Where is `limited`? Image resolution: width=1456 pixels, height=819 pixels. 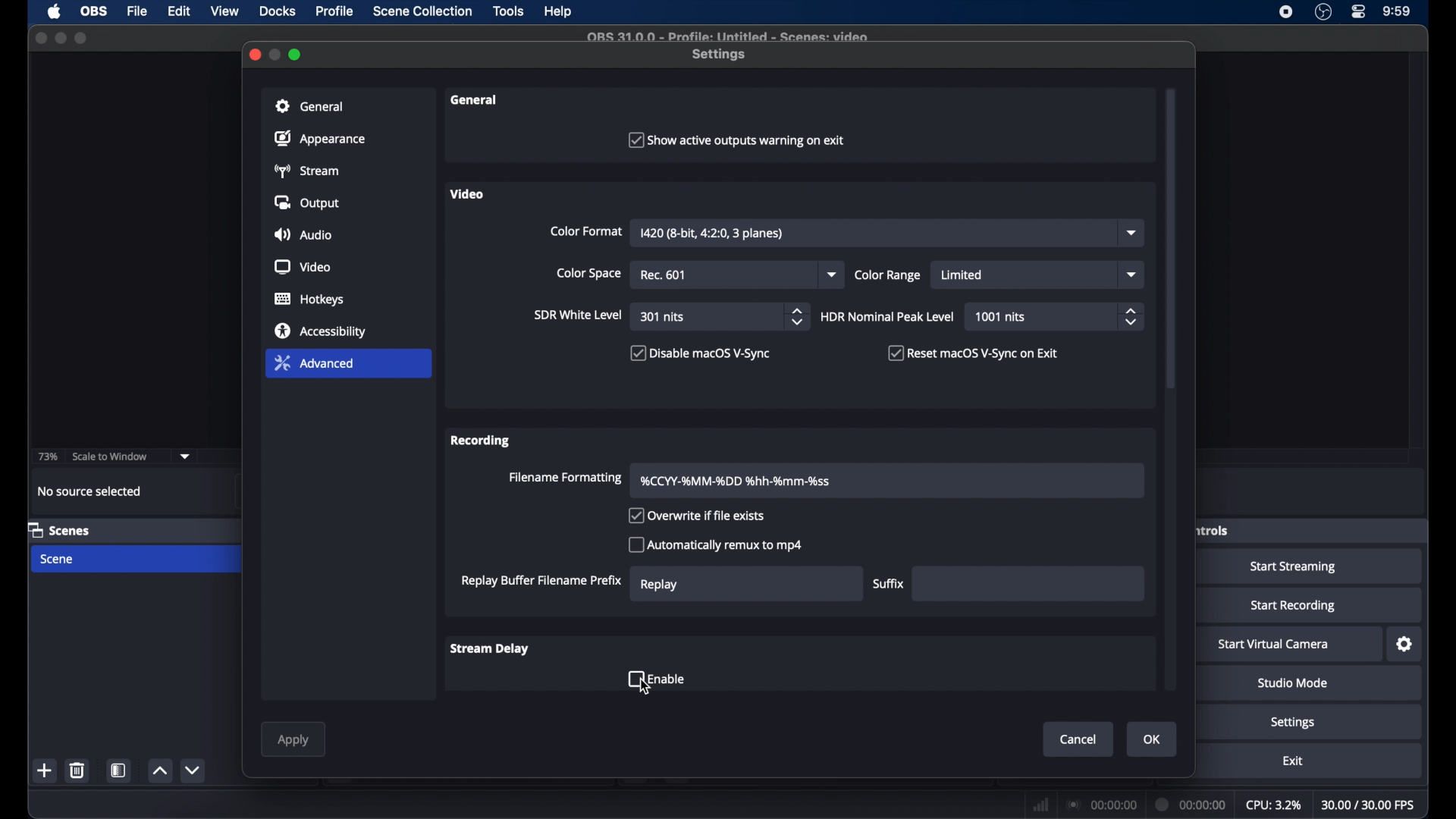 limited is located at coordinates (963, 276).